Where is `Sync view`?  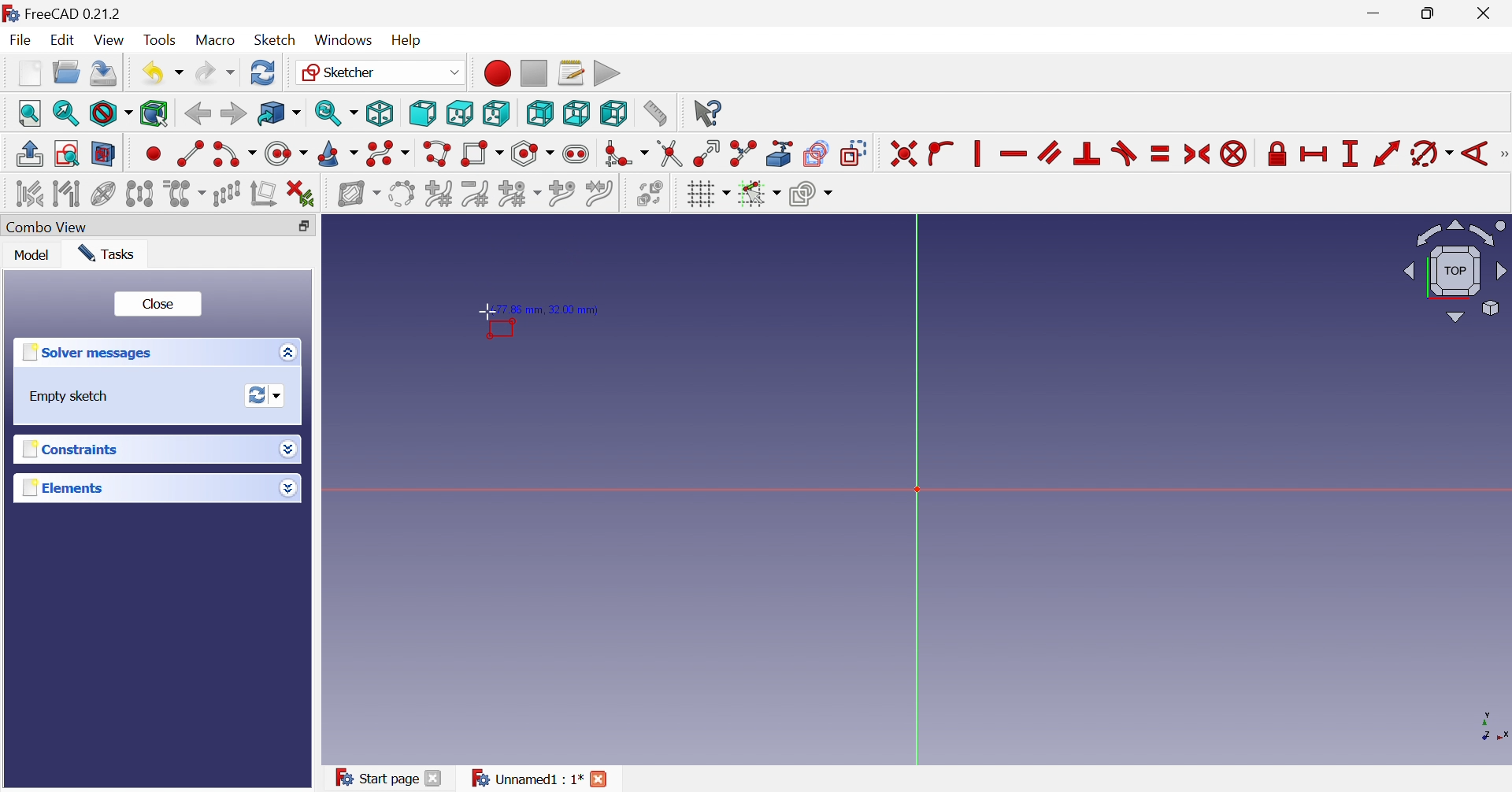 Sync view is located at coordinates (336, 113).